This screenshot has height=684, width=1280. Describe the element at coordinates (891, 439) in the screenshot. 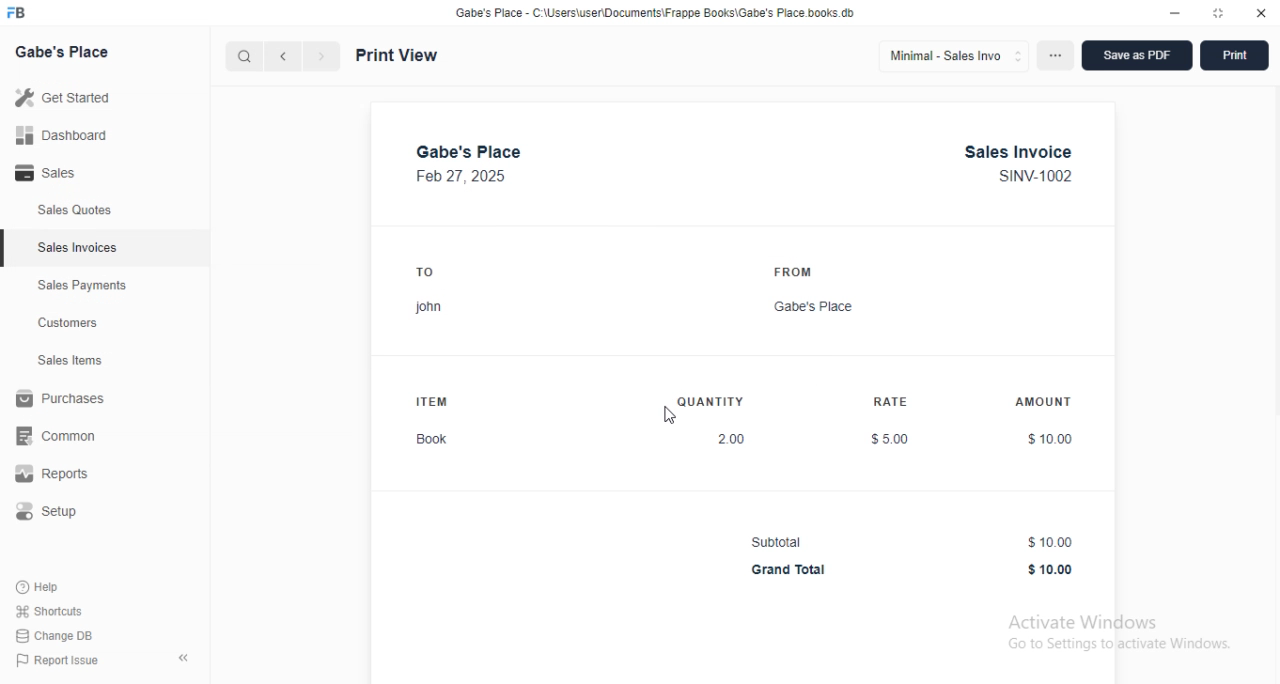

I see `$5.00` at that location.